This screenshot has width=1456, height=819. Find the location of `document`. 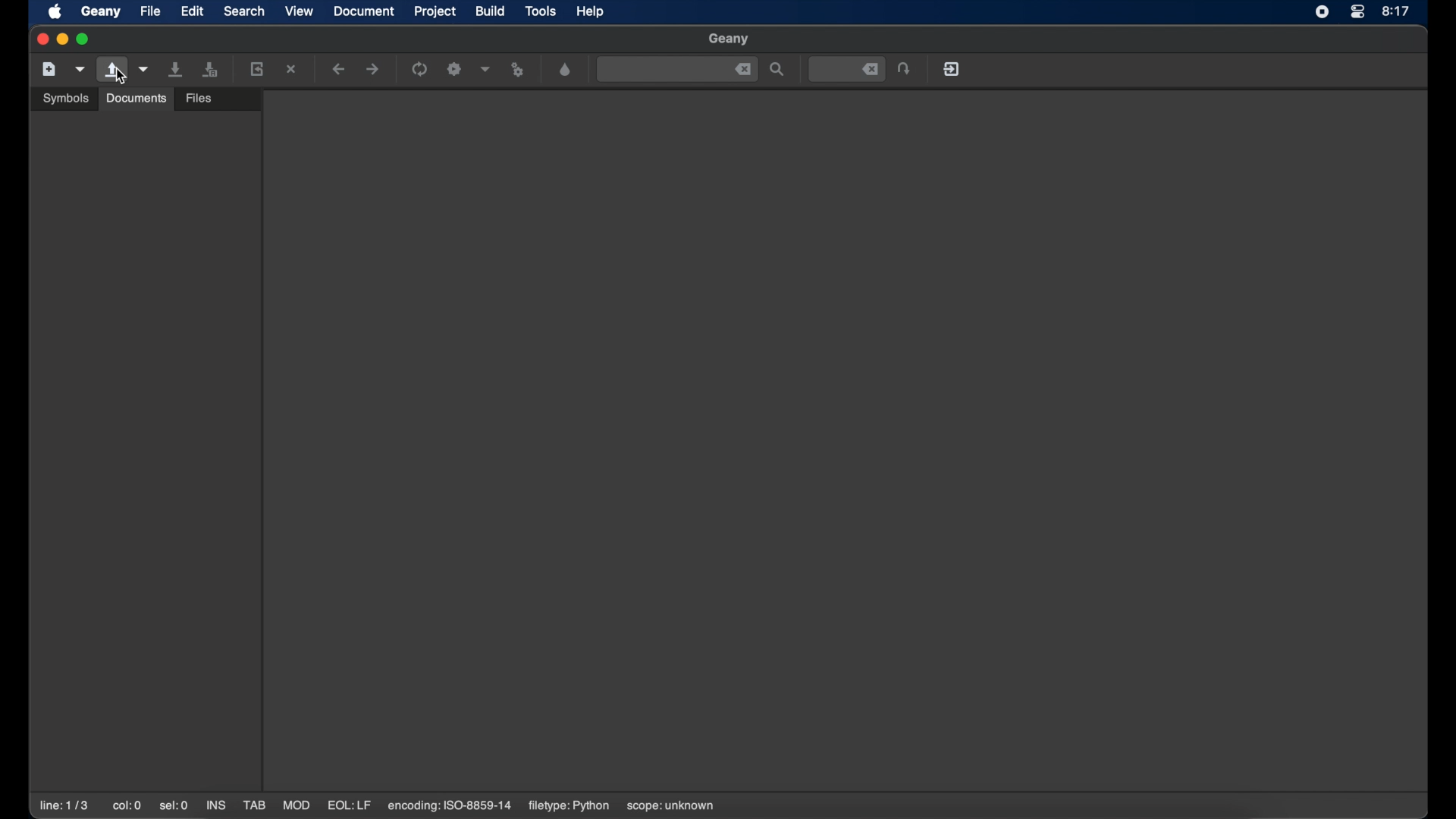

document is located at coordinates (363, 11).